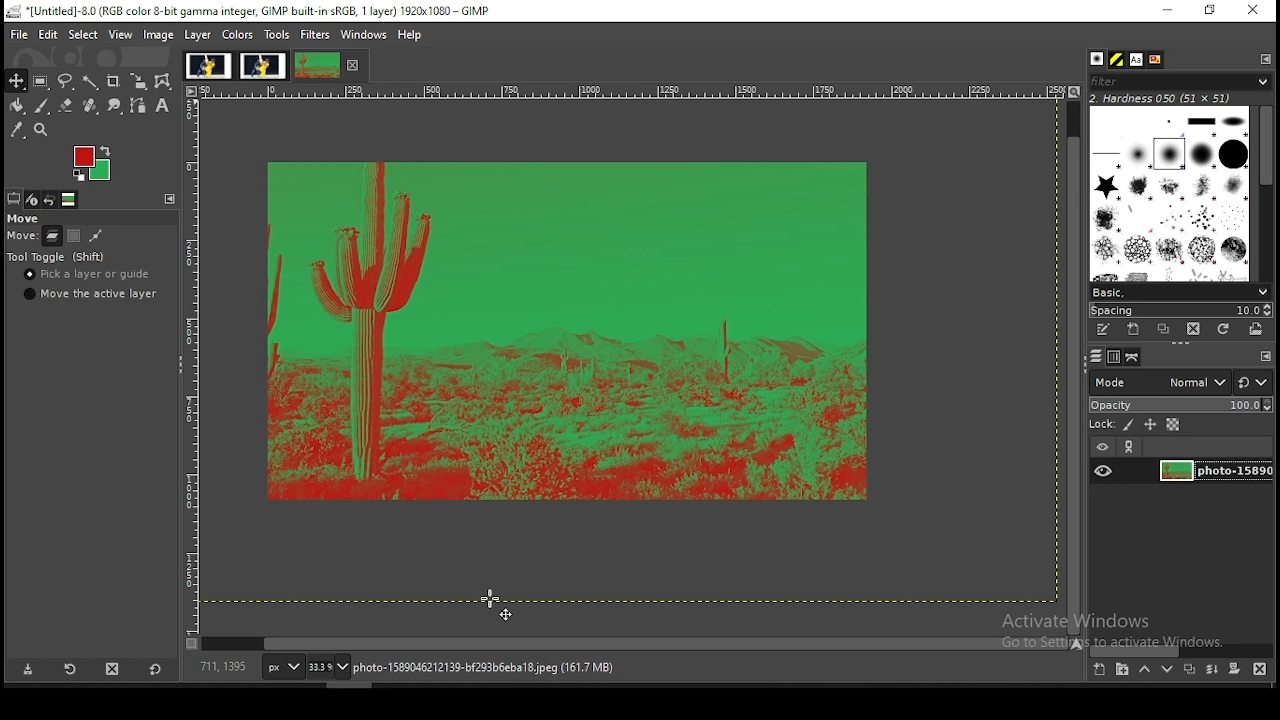 This screenshot has height=720, width=1280. What do you see at coordinates (238, 35) in the screenshot?
I see `colors` at bounding box center [238, 35].